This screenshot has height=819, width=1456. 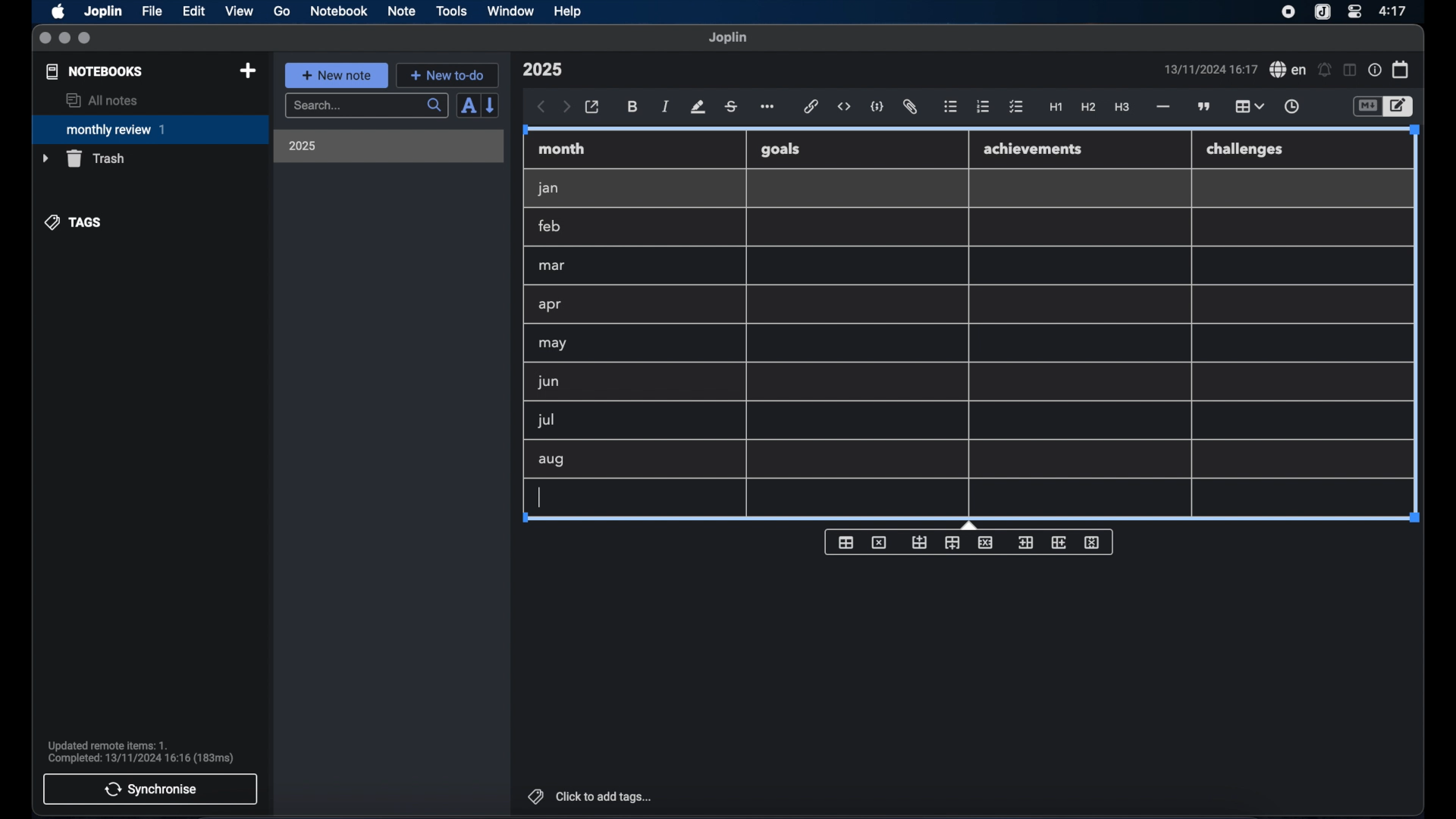 What do you see at coordinates (511, 11) in the screenshot?
I see `window` at bounding box center [511, 11].